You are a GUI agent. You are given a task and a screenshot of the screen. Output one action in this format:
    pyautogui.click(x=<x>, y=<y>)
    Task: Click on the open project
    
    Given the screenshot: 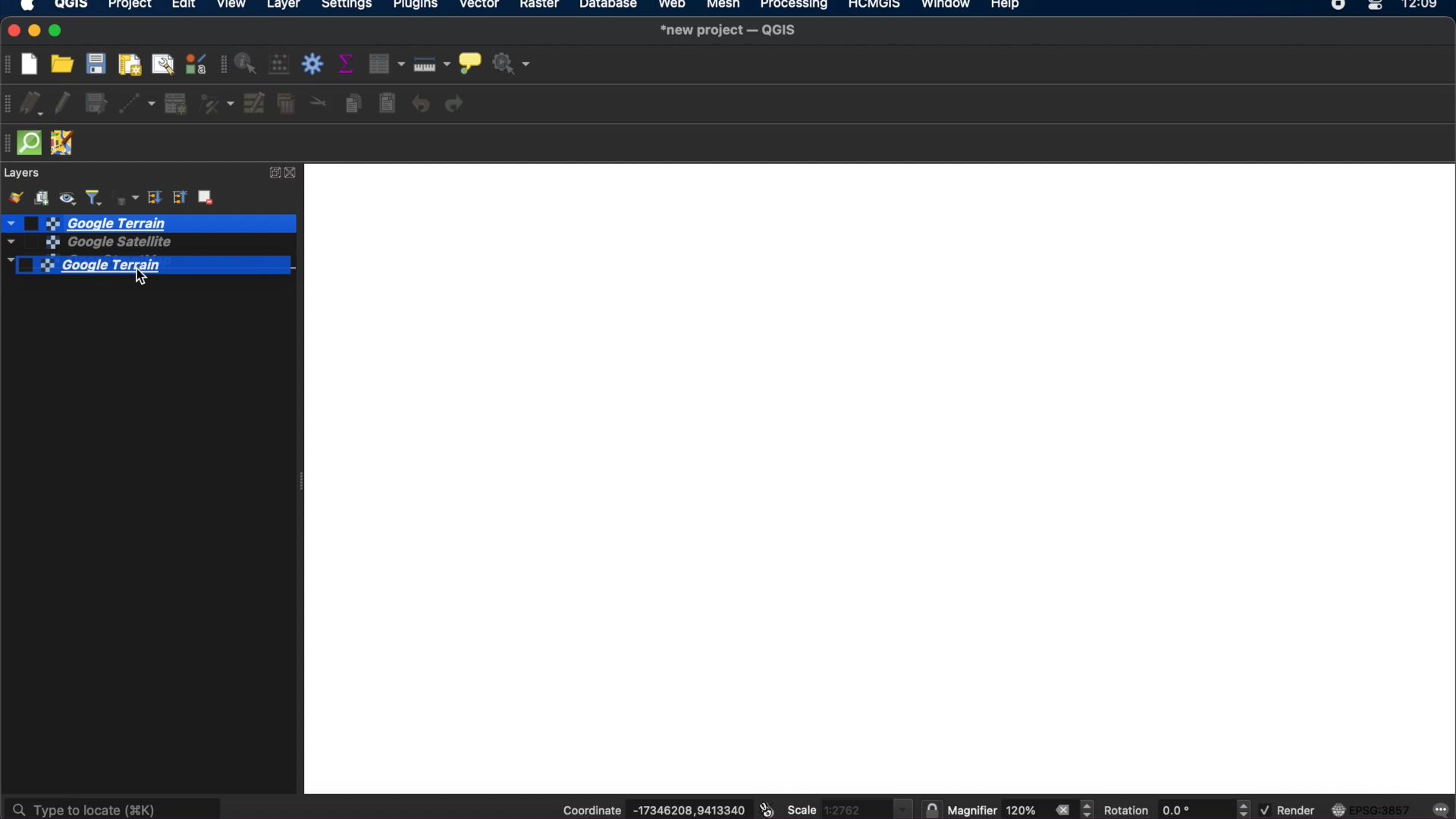 What is the action you would take?
    pyautogui.click(x=64, y=64)
    